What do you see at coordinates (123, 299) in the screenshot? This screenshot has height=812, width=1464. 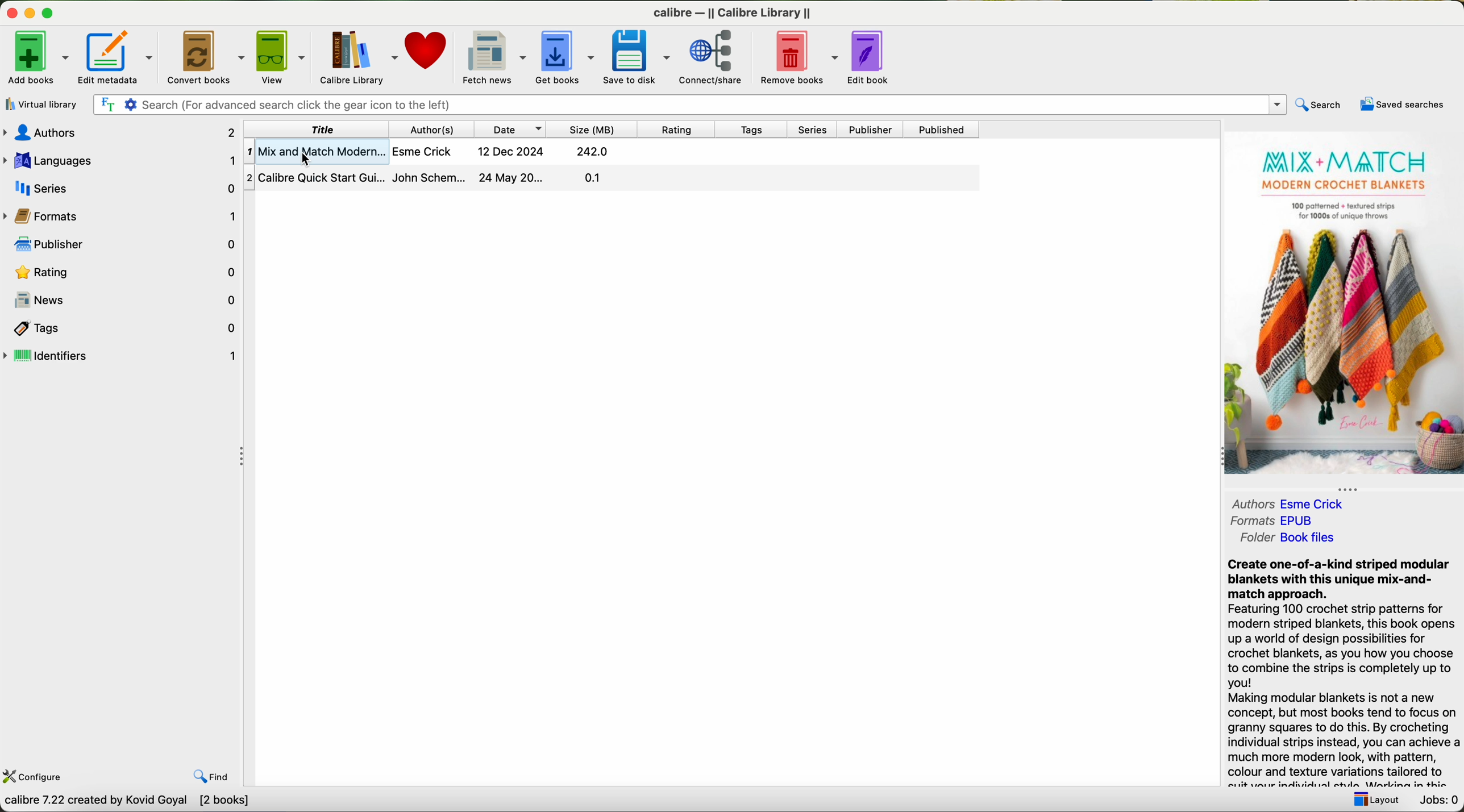 I see `news` at bounding box center [123, 299].